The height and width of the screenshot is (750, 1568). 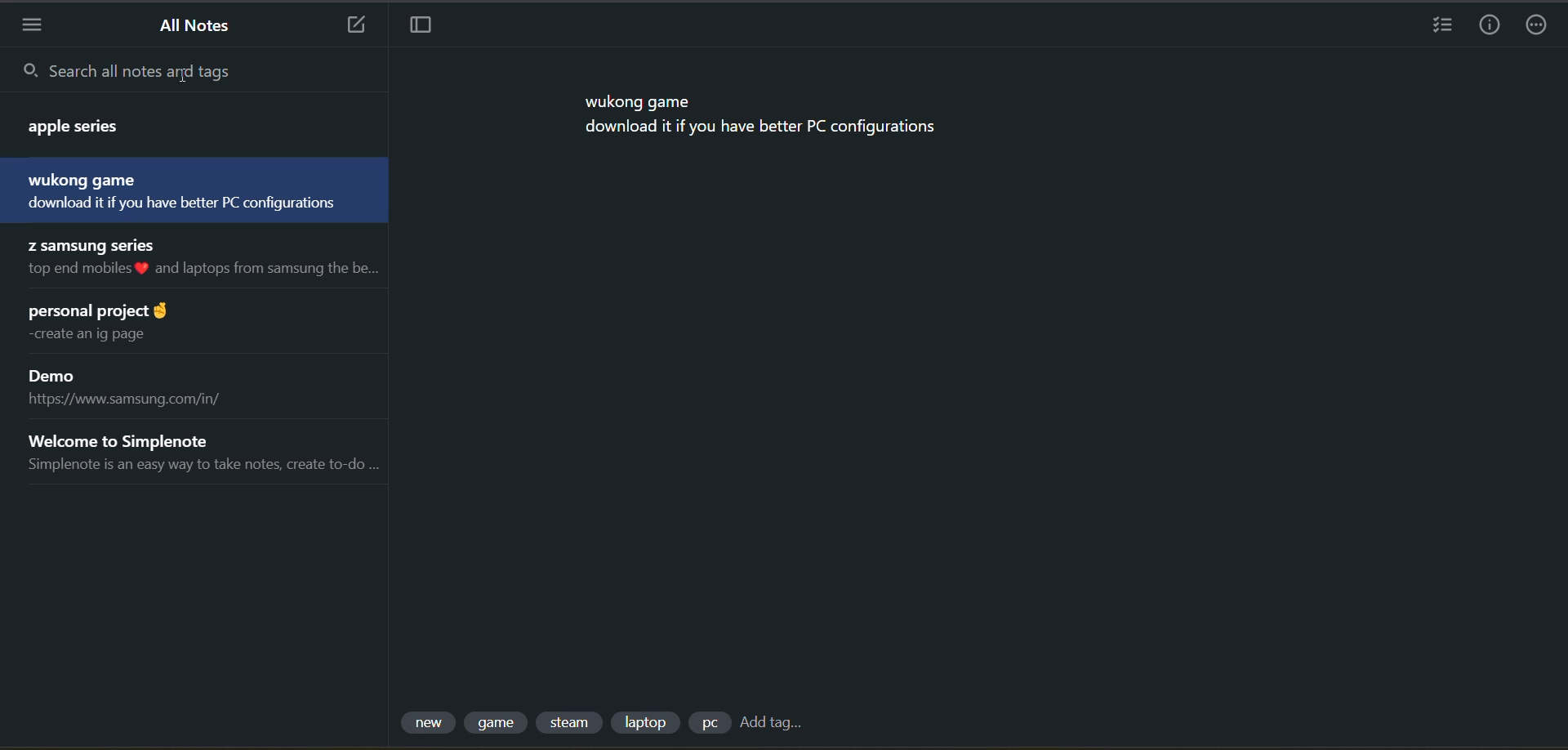 I want to click on note title and preview, so click(x=192, y=134).